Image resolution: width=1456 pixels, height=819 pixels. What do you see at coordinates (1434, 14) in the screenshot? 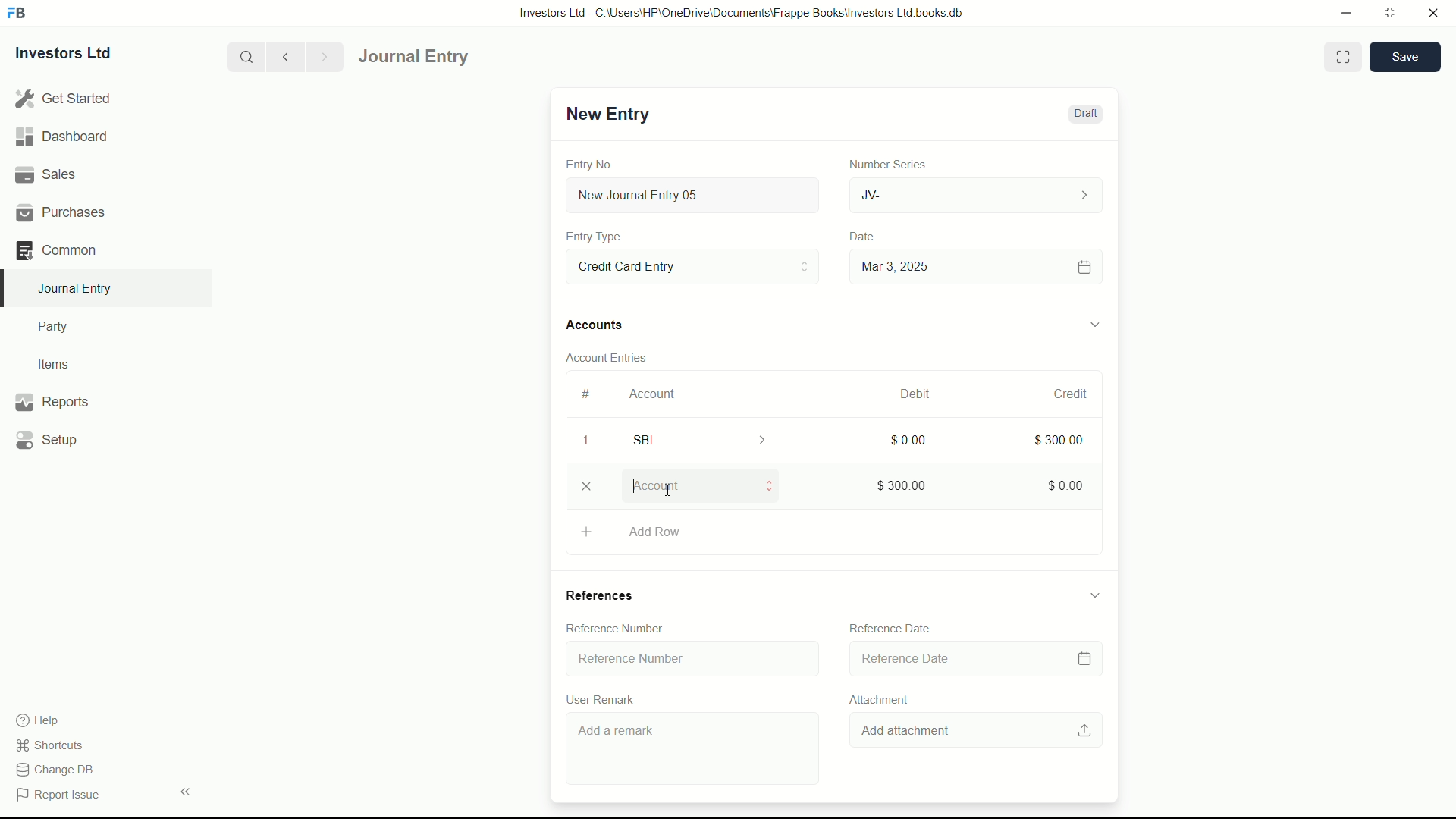
I see `close` at bounding box center [1434, 14].